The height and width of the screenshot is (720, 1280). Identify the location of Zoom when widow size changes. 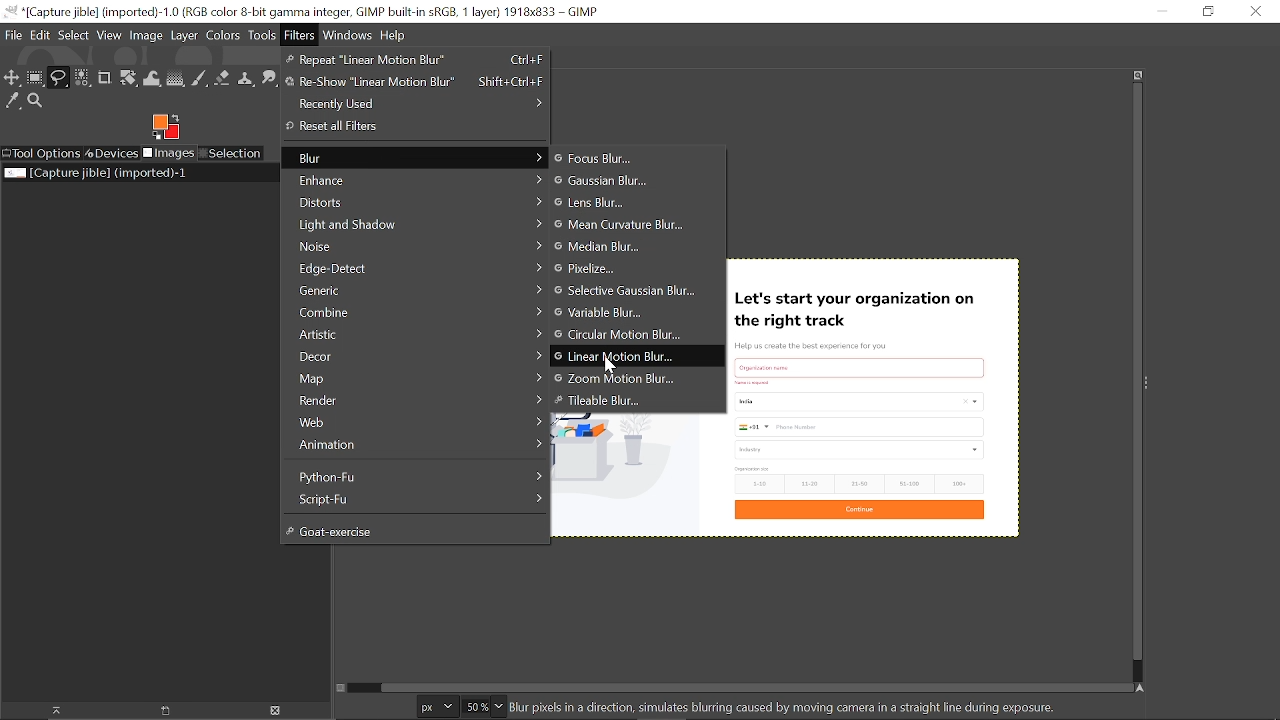
(1138, 75).